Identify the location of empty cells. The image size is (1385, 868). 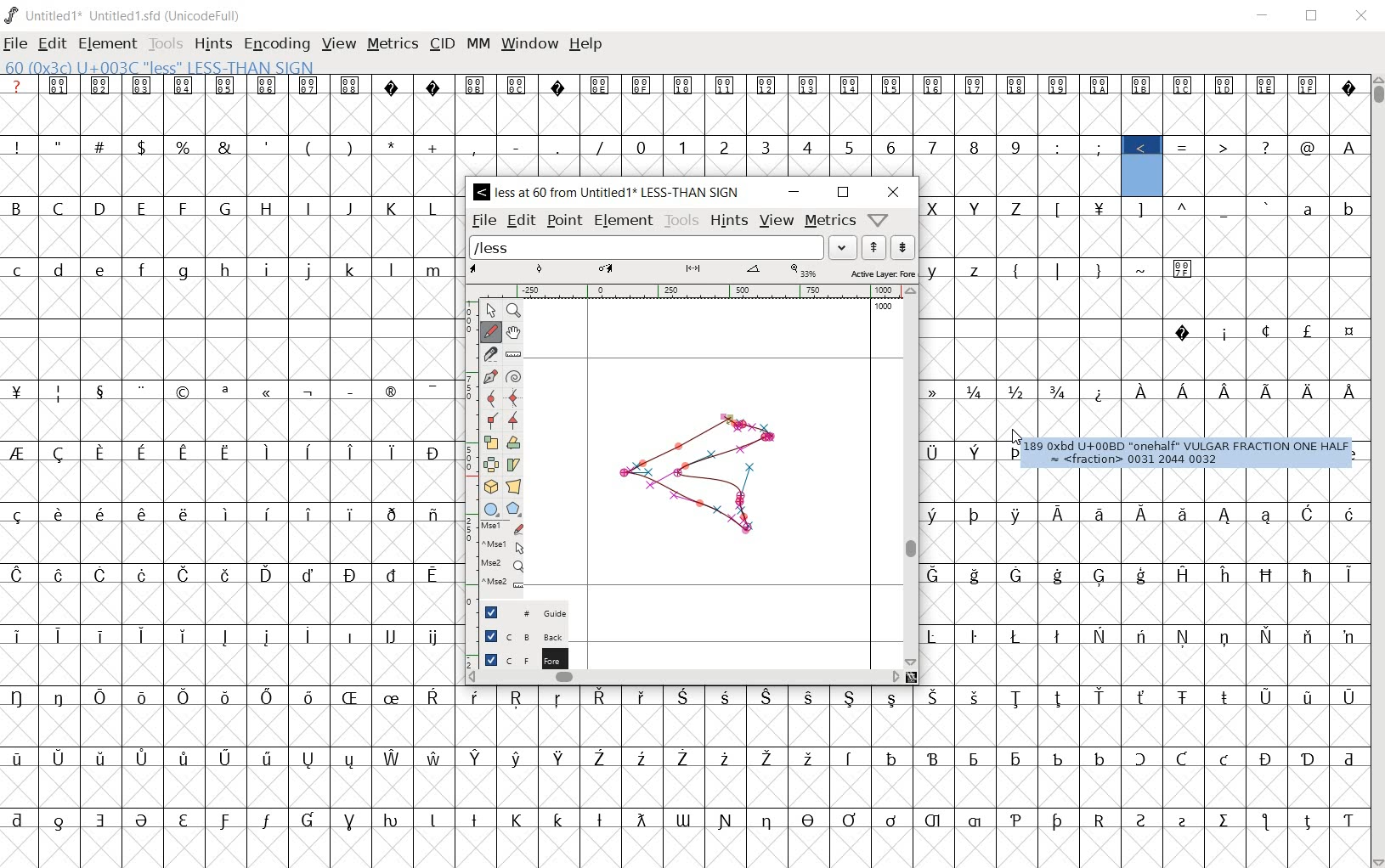
(1144, 544).